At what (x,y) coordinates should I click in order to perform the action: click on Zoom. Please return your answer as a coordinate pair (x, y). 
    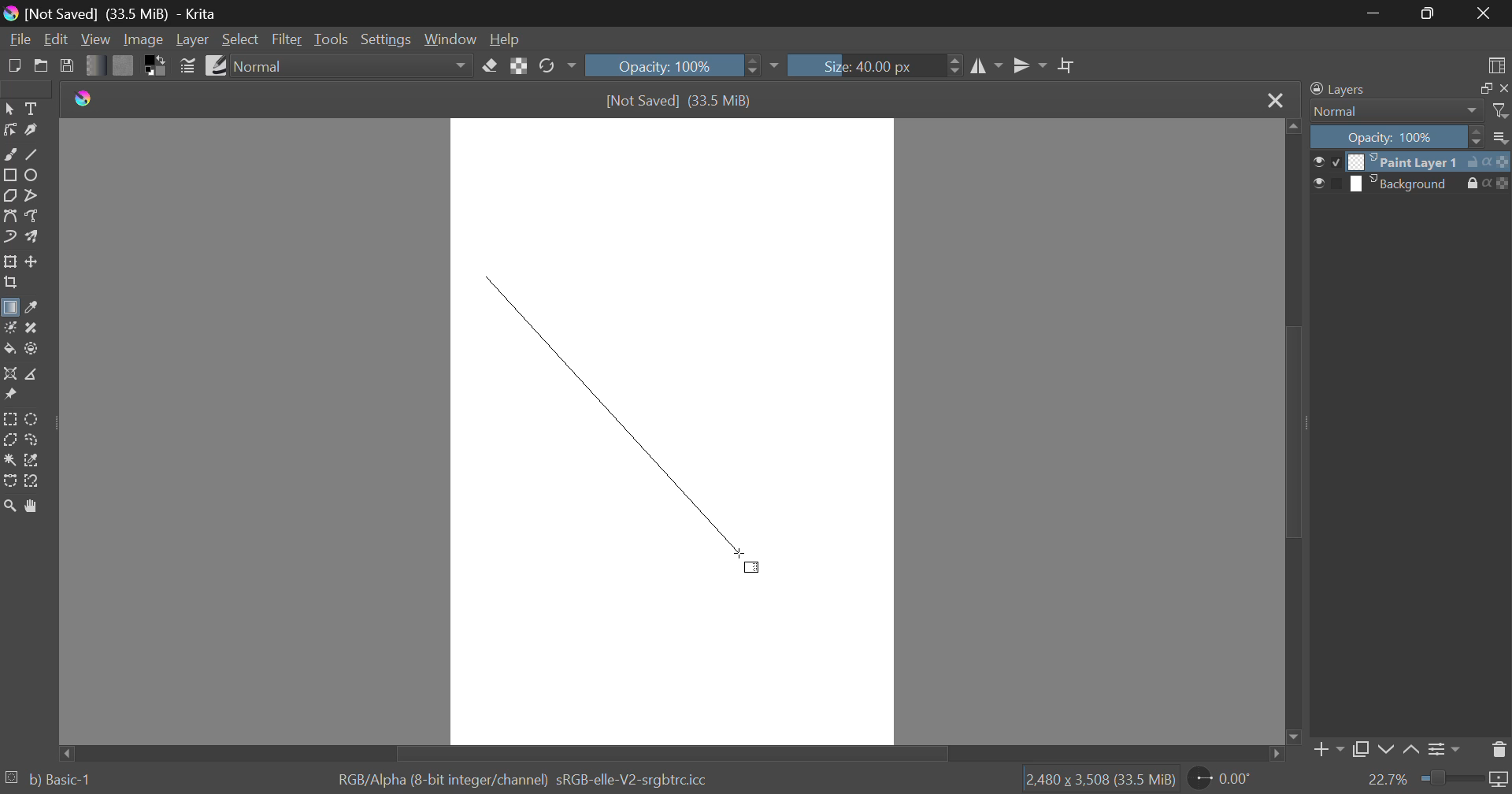
    Looking at the image, I should click on (9, 506).